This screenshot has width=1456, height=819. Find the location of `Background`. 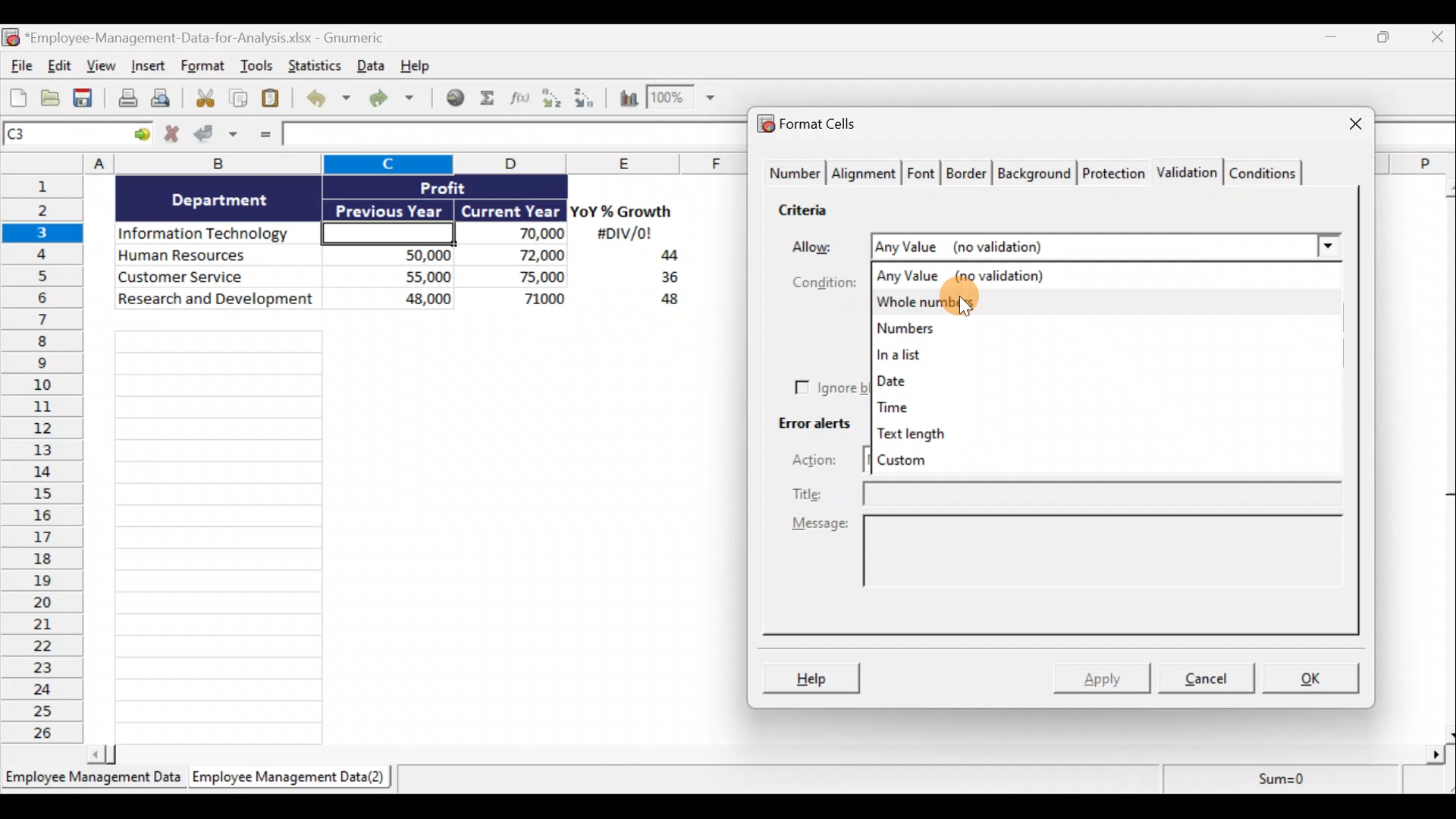

Background is located at coordinates (1037, 174).